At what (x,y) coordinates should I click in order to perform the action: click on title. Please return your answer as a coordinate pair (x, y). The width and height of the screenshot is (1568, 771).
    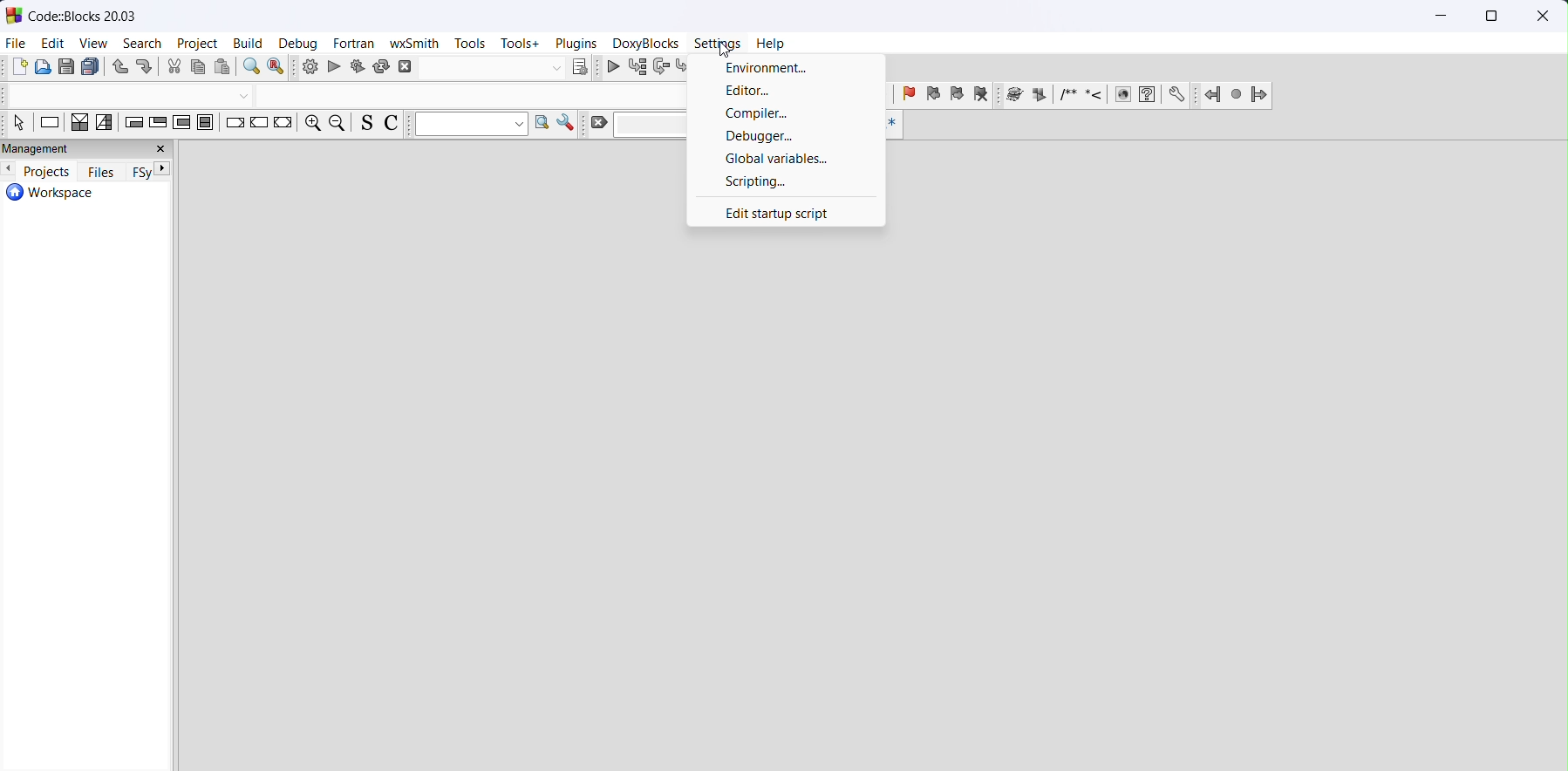
    Looking at the image, I should click on (84, 15).